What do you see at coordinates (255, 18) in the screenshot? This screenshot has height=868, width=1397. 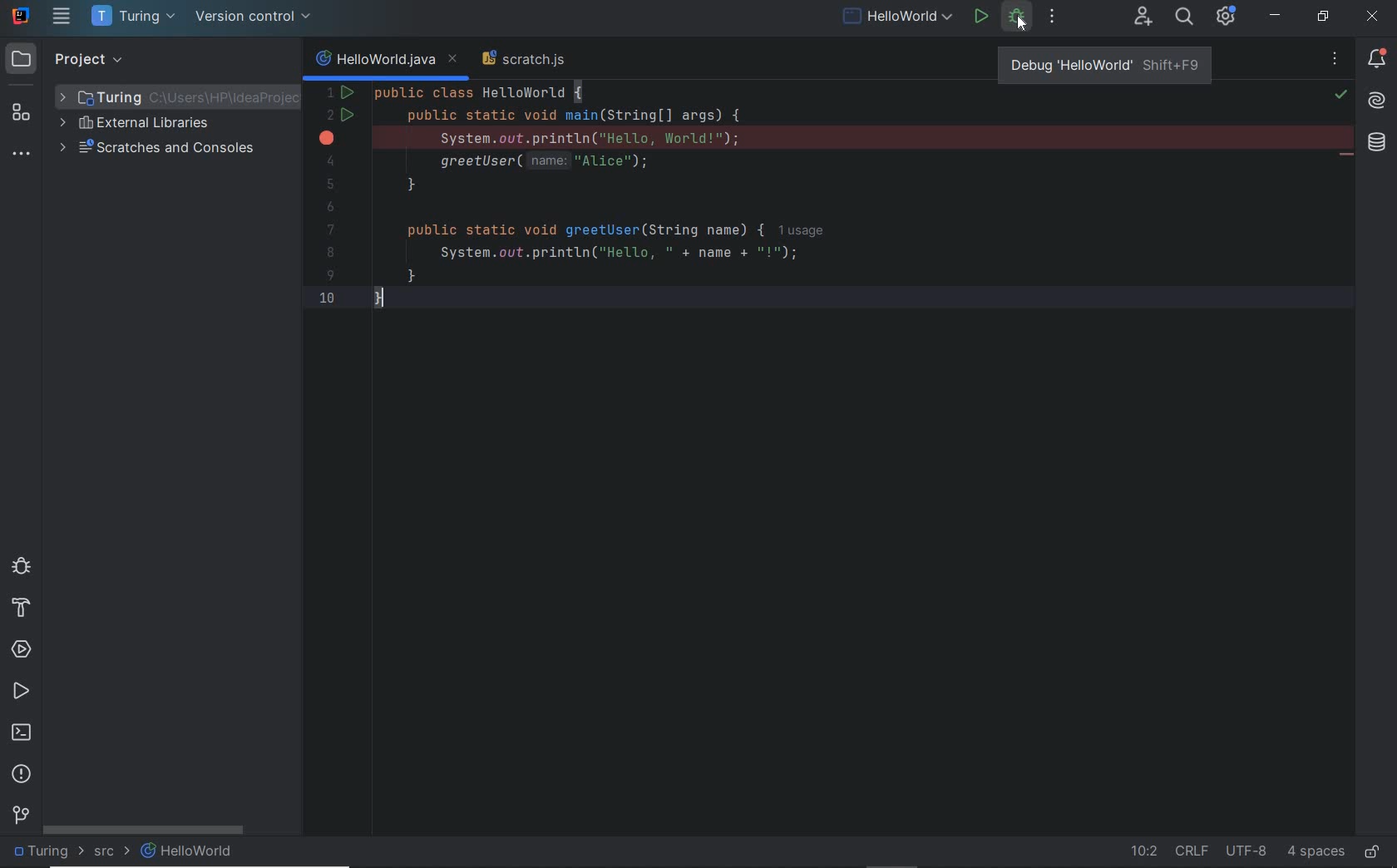 I see `version control` at bounding box center [255, 18].